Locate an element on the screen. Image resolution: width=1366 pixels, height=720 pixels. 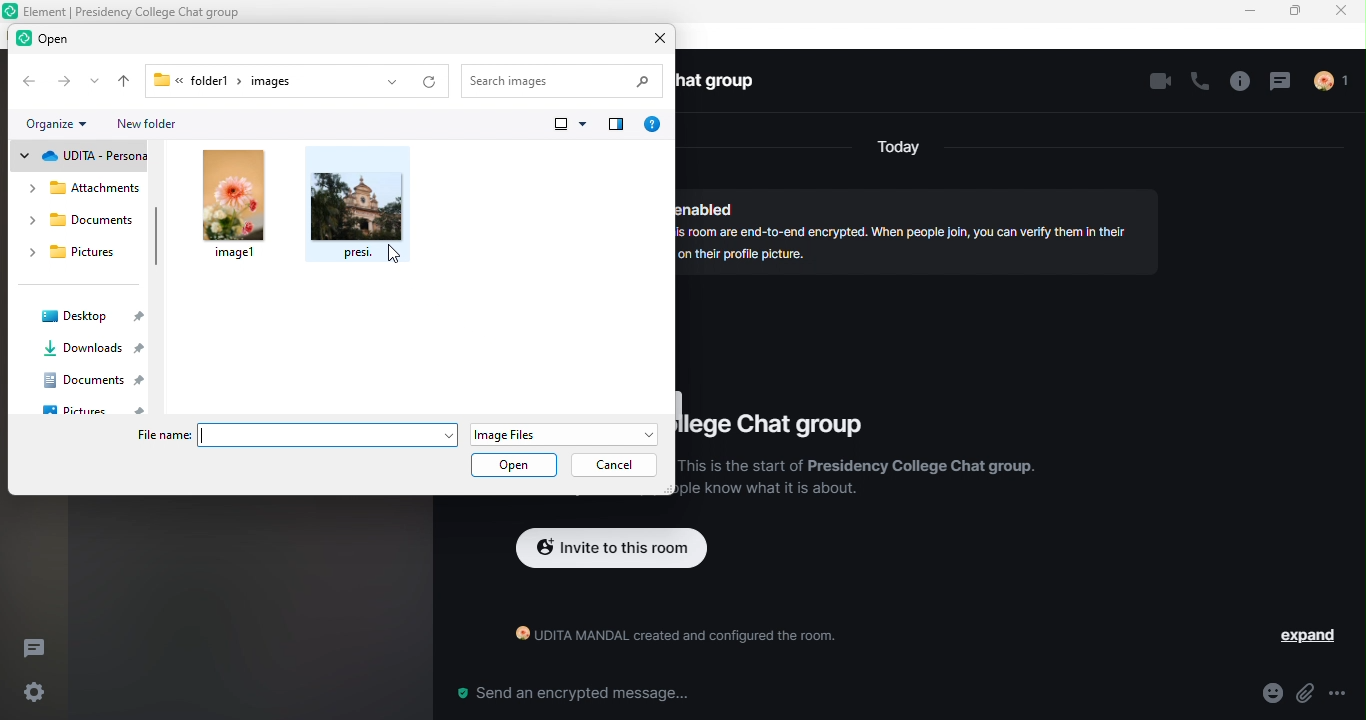
pictures is located at coordinates (78, 255).